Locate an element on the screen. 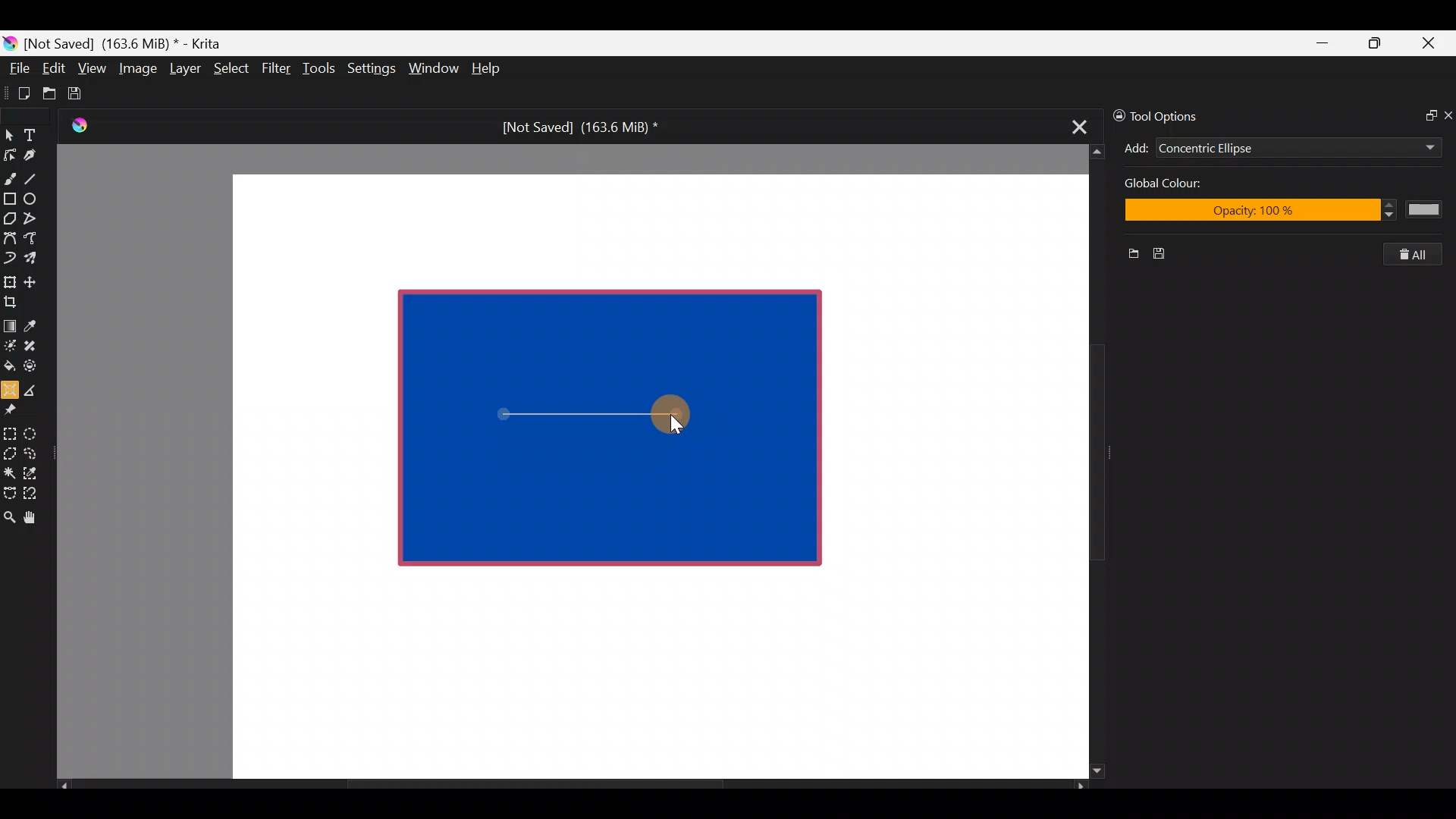 The height and width of the screenshot is (819, 1456). Measure the distance between two points is located at coordinates (35, 385).